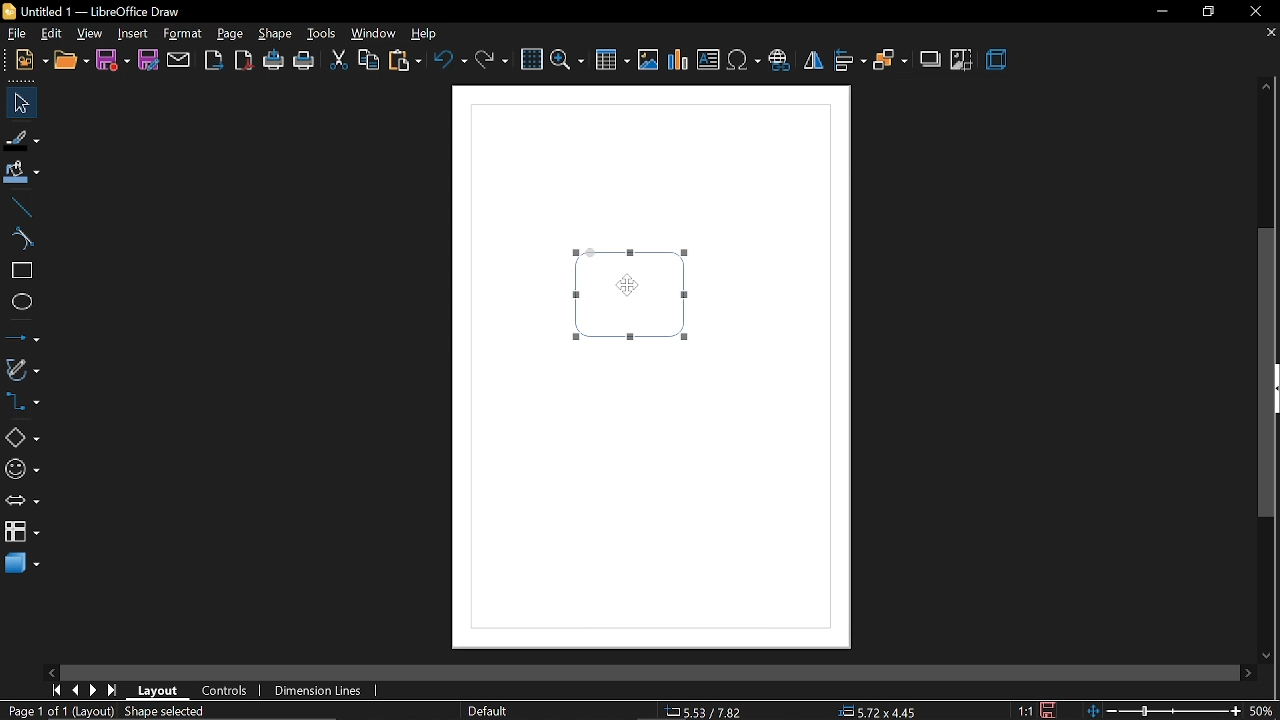  What do you see at coordinates (611, 62) in the screenshot?
I see `insert table` at bounding box center [611, 62].